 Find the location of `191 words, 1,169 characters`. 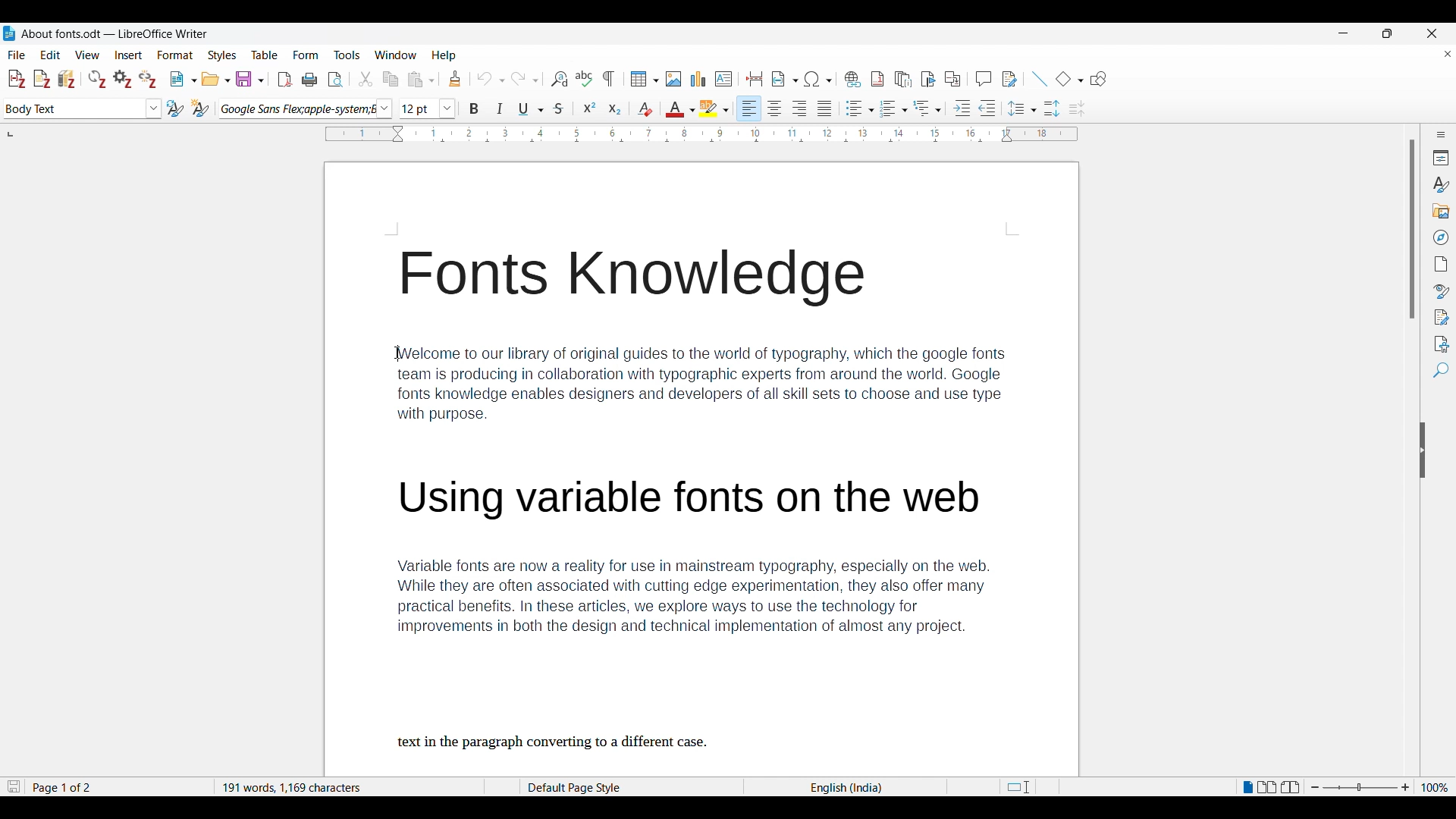

191 words, 1,169 characters is located at coordinates (291, 785).